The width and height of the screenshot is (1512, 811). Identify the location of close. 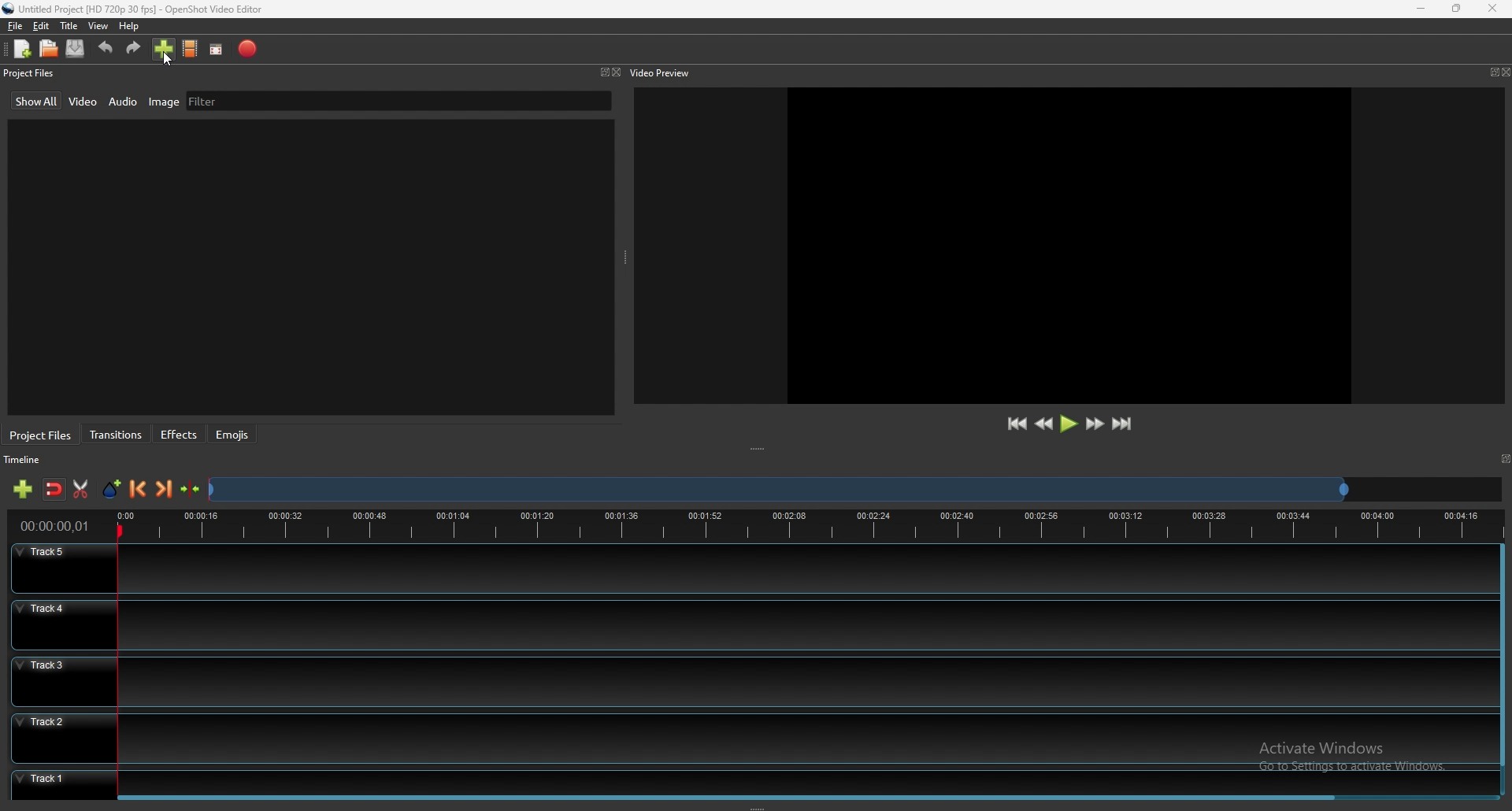
(617, 72).